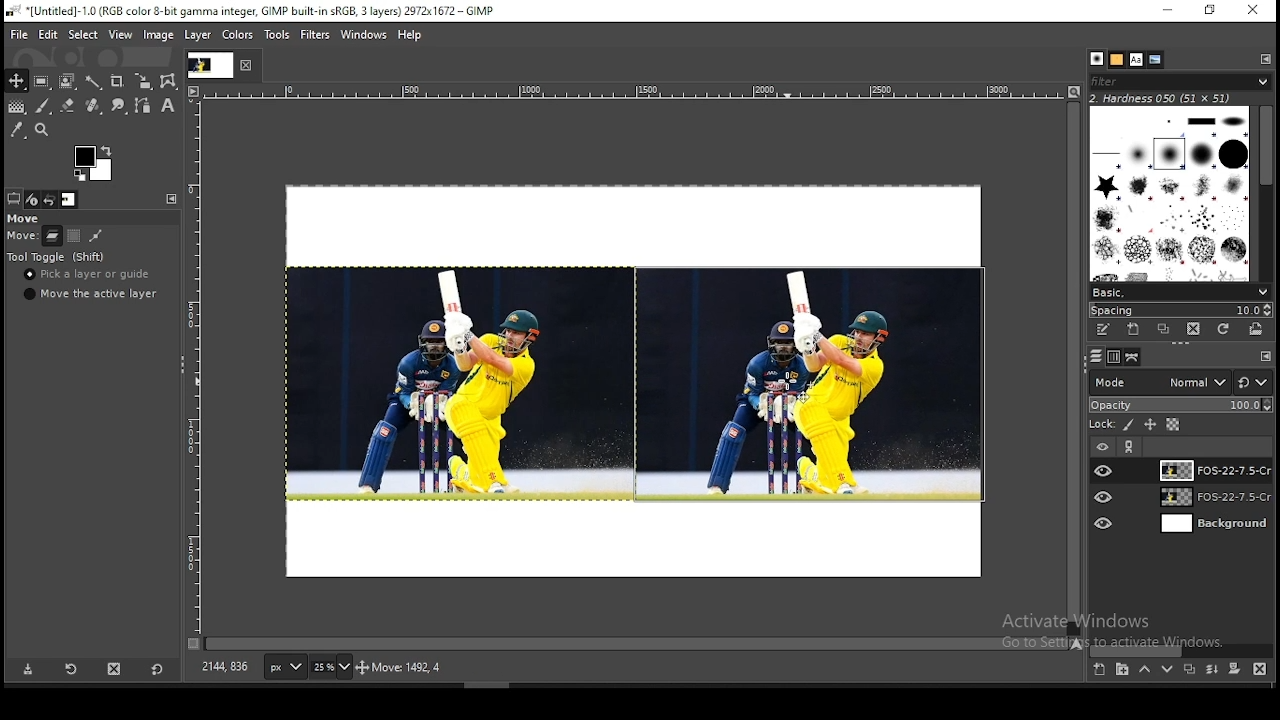  I want to click on lock, so click(1100, 425).